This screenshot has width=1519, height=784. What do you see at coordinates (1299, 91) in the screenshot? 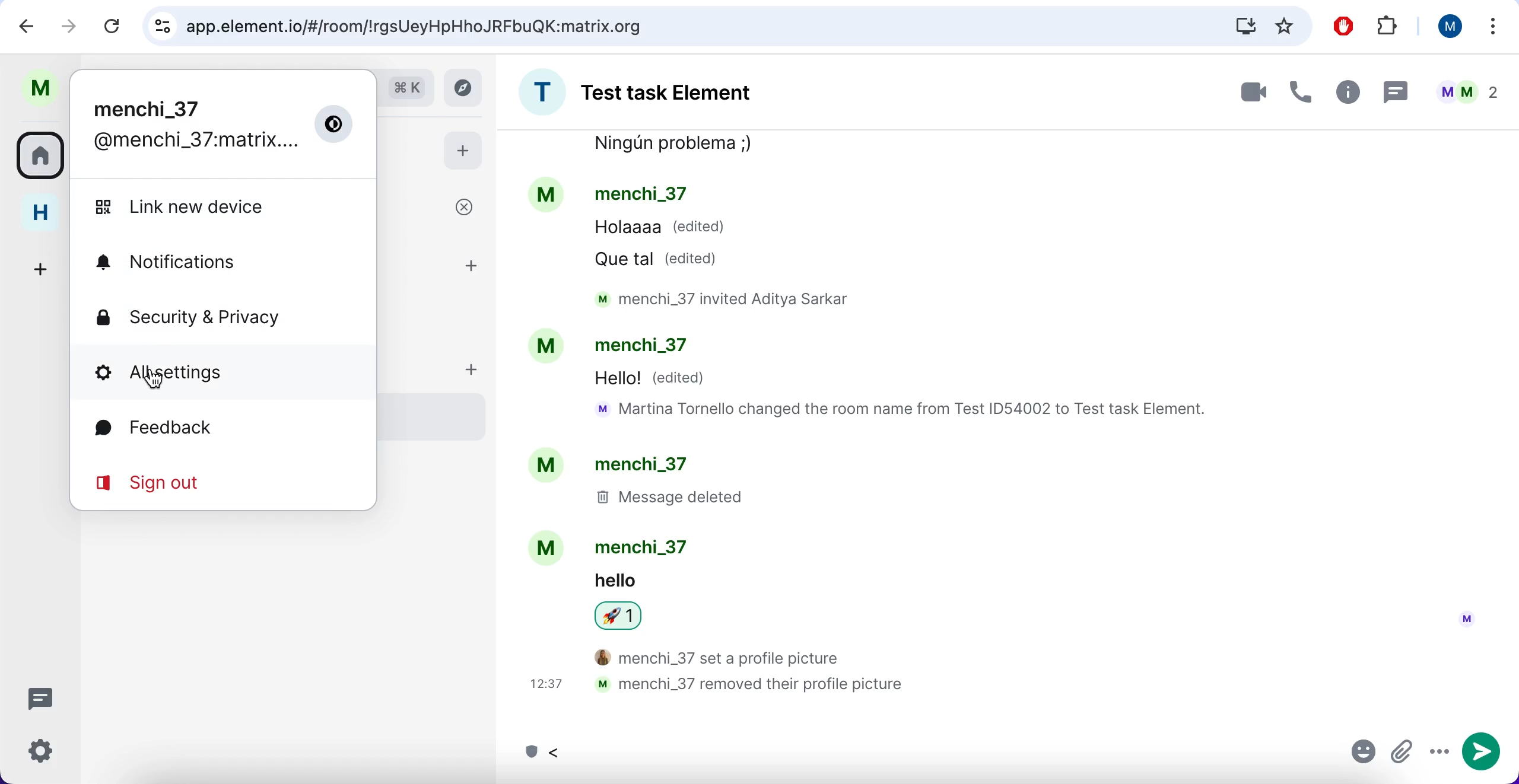
I see `voice call` at bounding box center [1299, 91].